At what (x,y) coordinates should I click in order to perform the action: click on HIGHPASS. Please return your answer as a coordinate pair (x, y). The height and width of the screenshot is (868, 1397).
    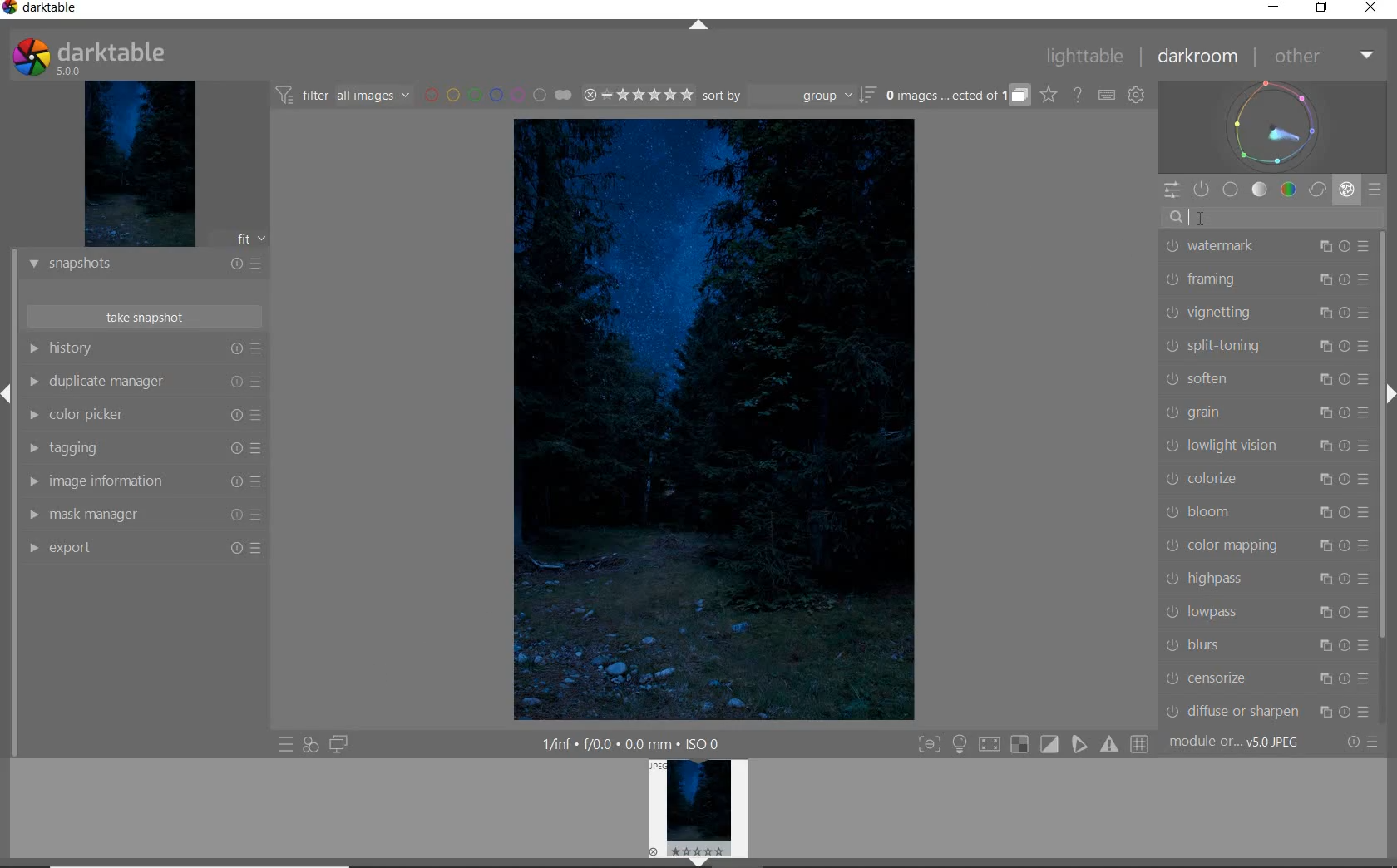
    Looking at the image, I should click on (1265, 579).